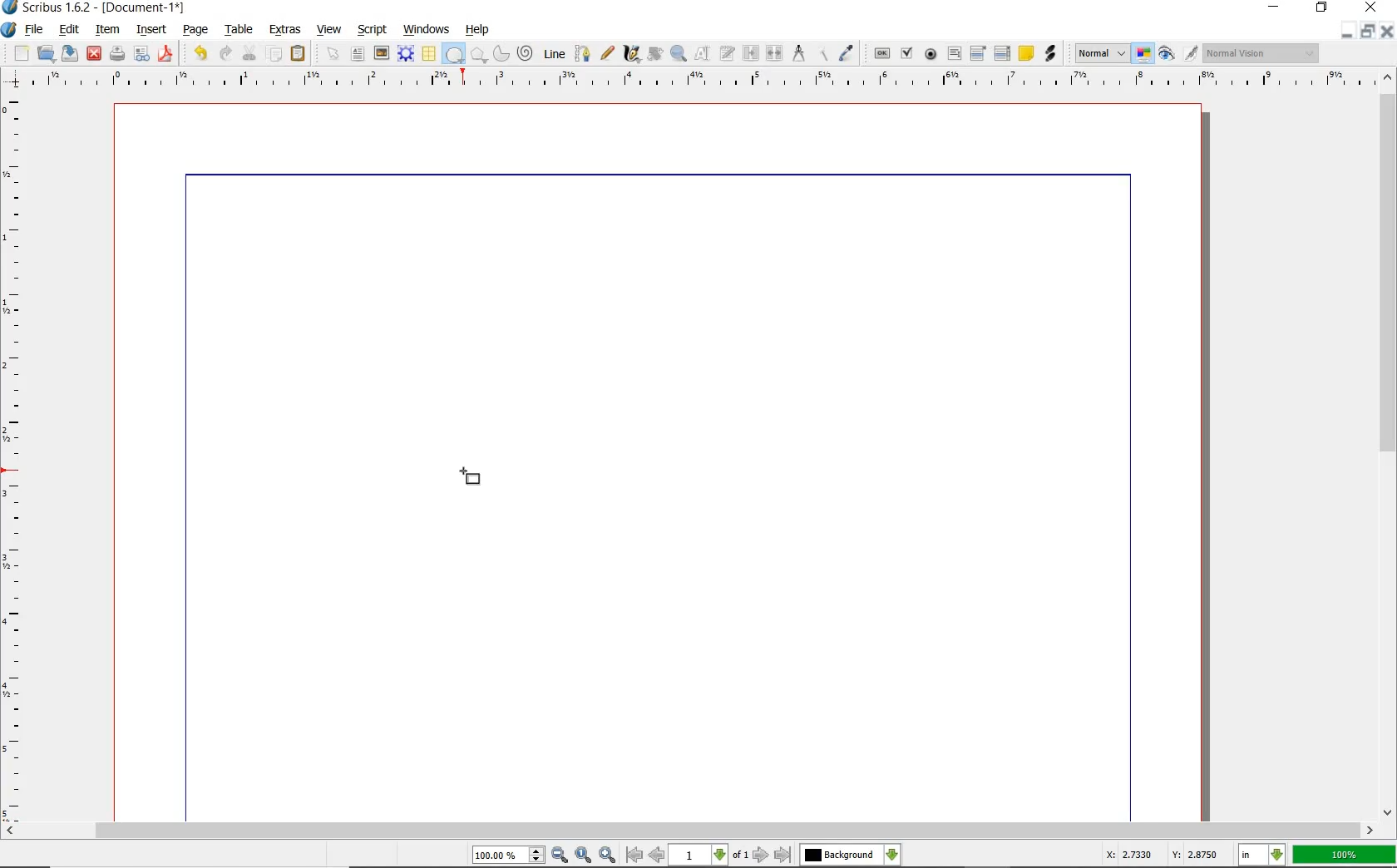  I want to click on CUT, so click(250, 52).